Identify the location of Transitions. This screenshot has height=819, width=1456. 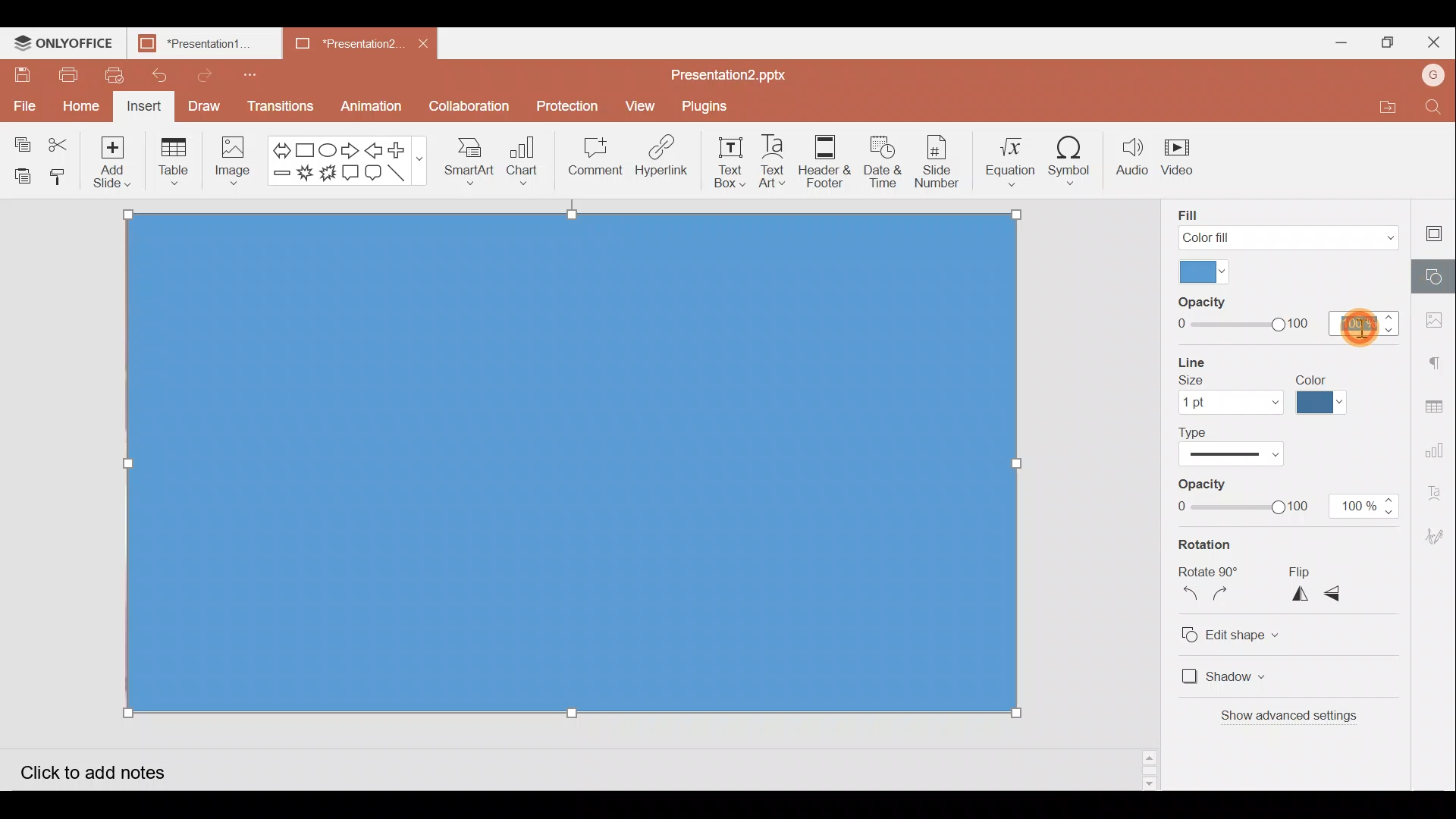
(279, 106).